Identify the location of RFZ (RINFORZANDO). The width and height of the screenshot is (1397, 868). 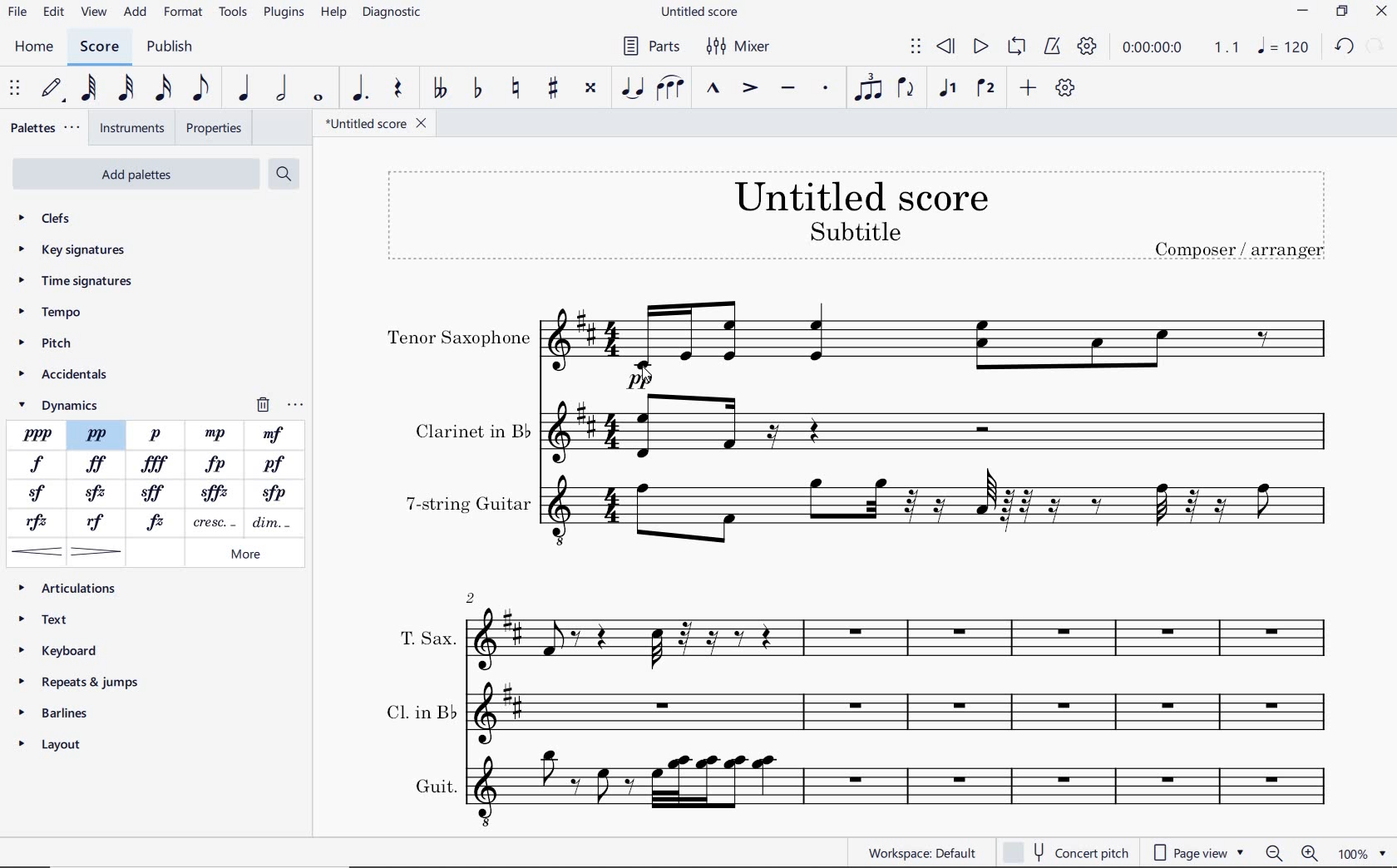
(41, 523).